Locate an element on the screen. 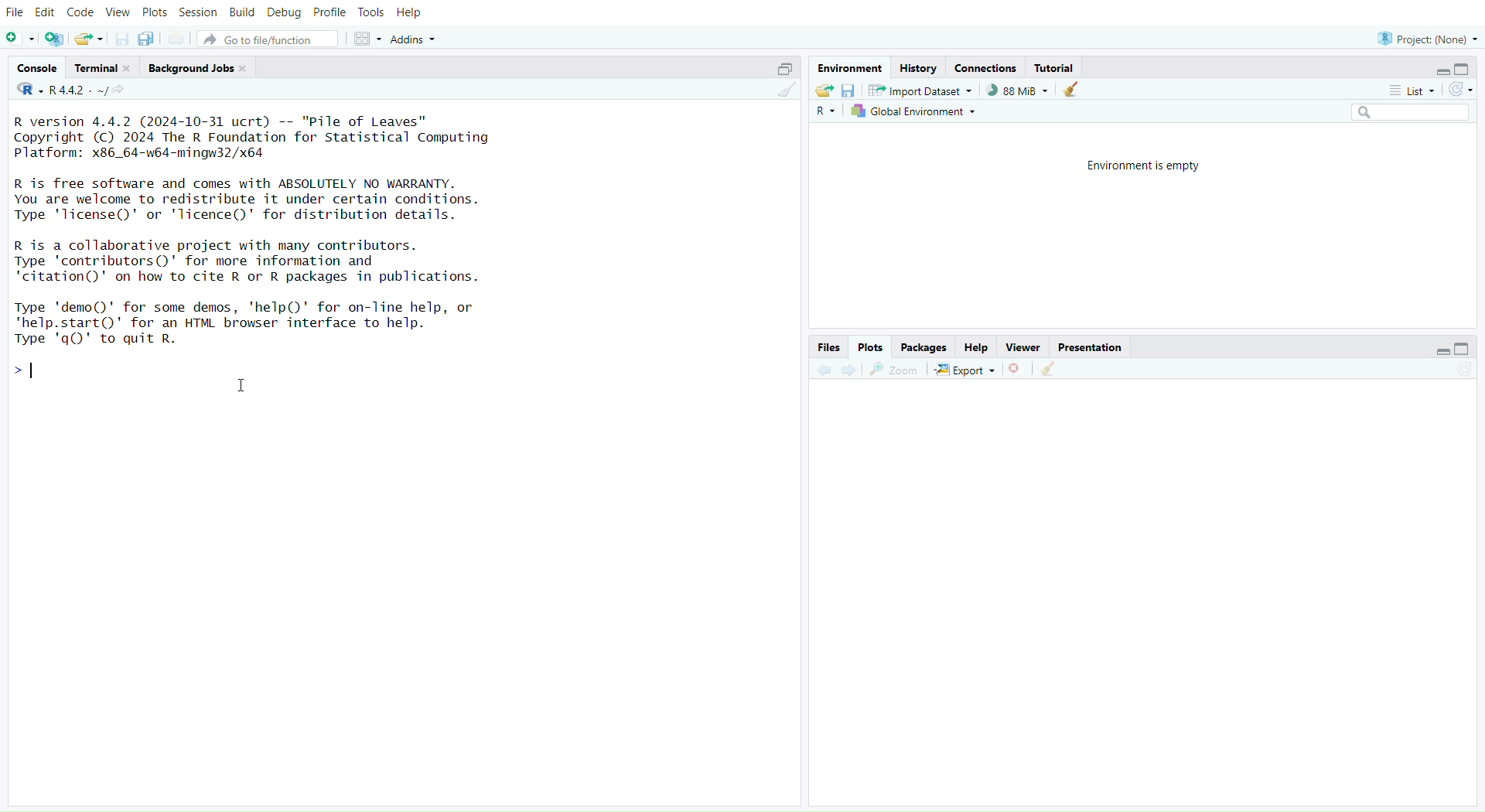  clear console is located at coordinates (783, 91).